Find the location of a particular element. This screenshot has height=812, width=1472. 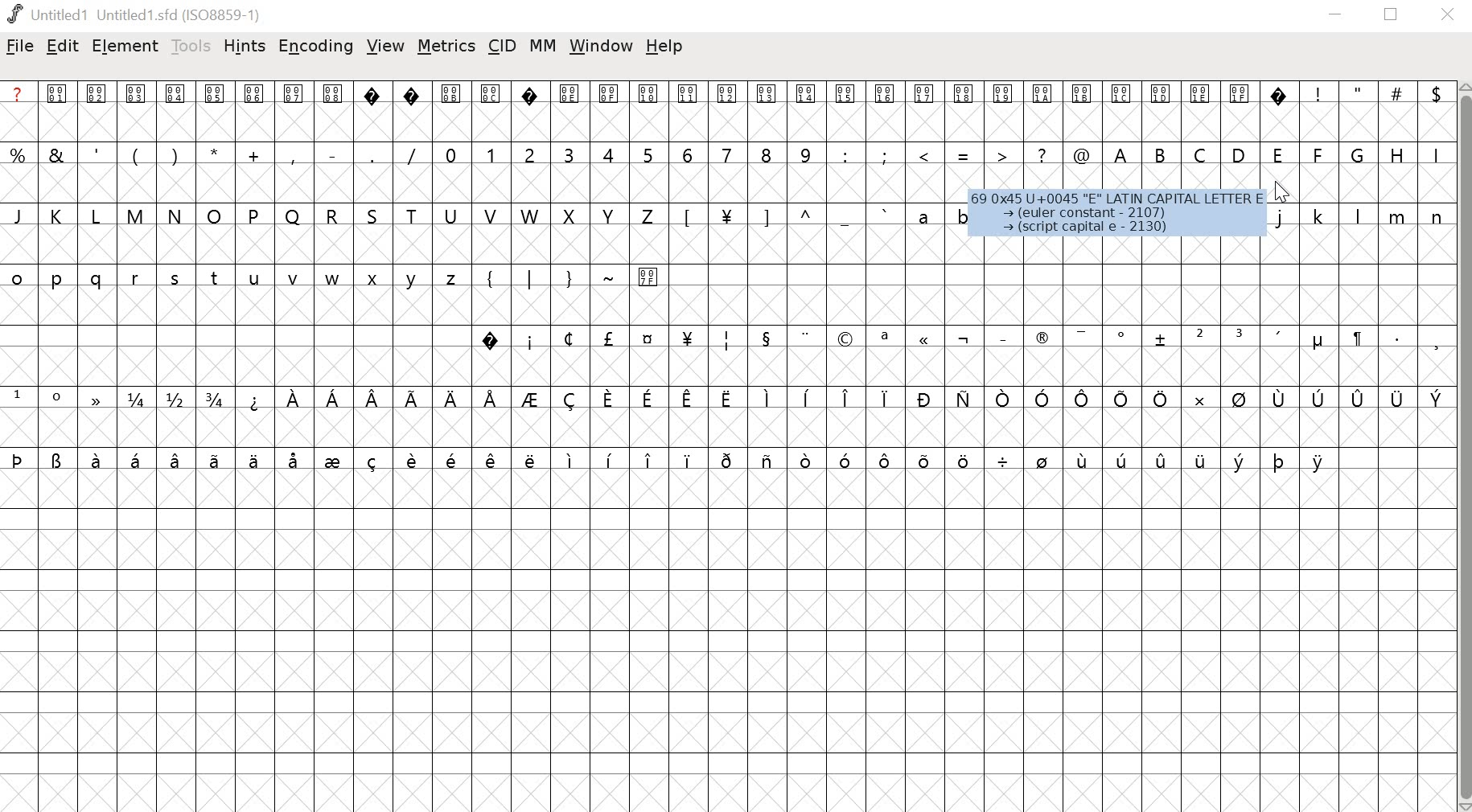

MM is located at coordinates (543, 47).